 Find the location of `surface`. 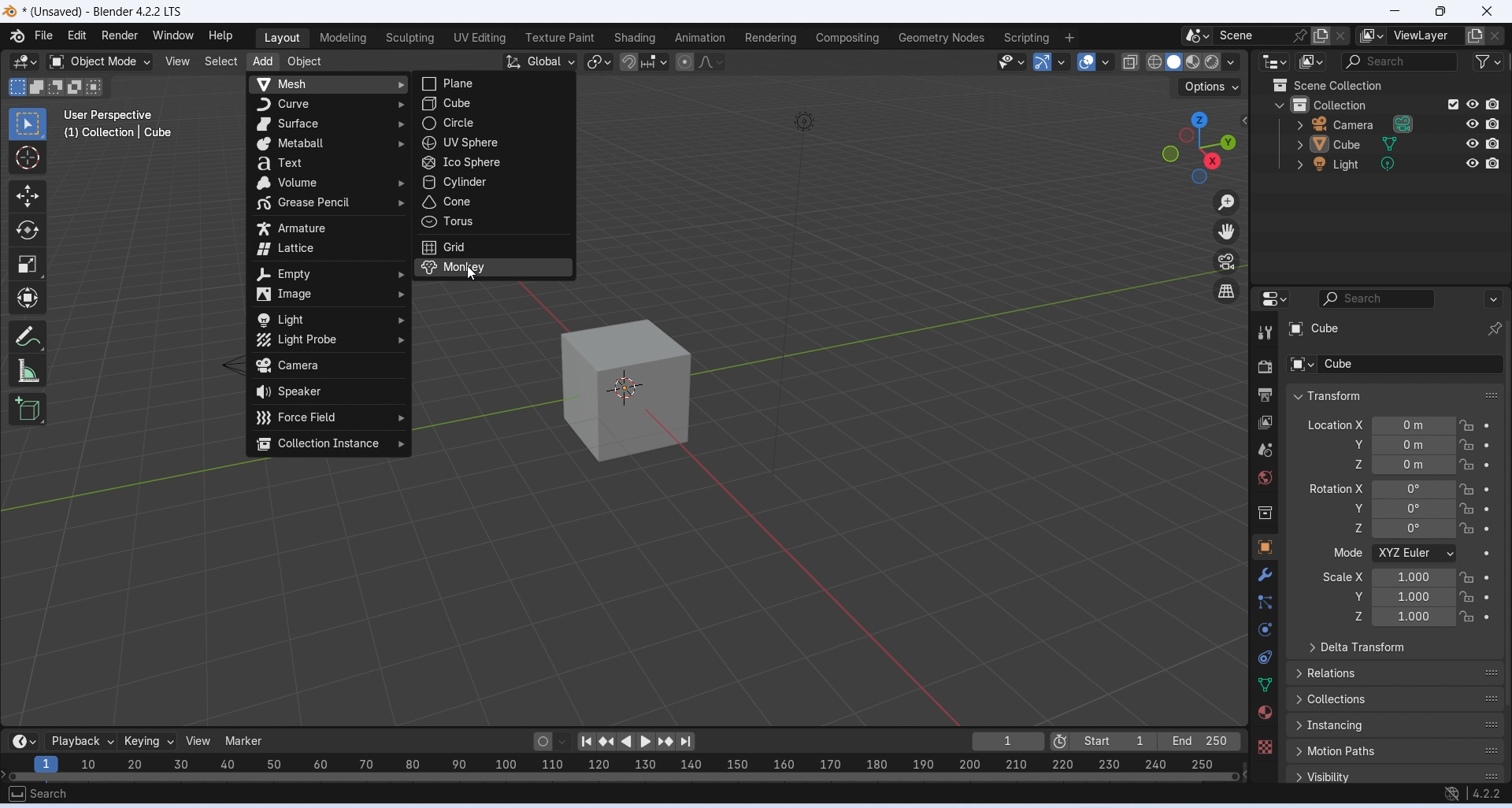

surface is located at coordinates (329, 125).